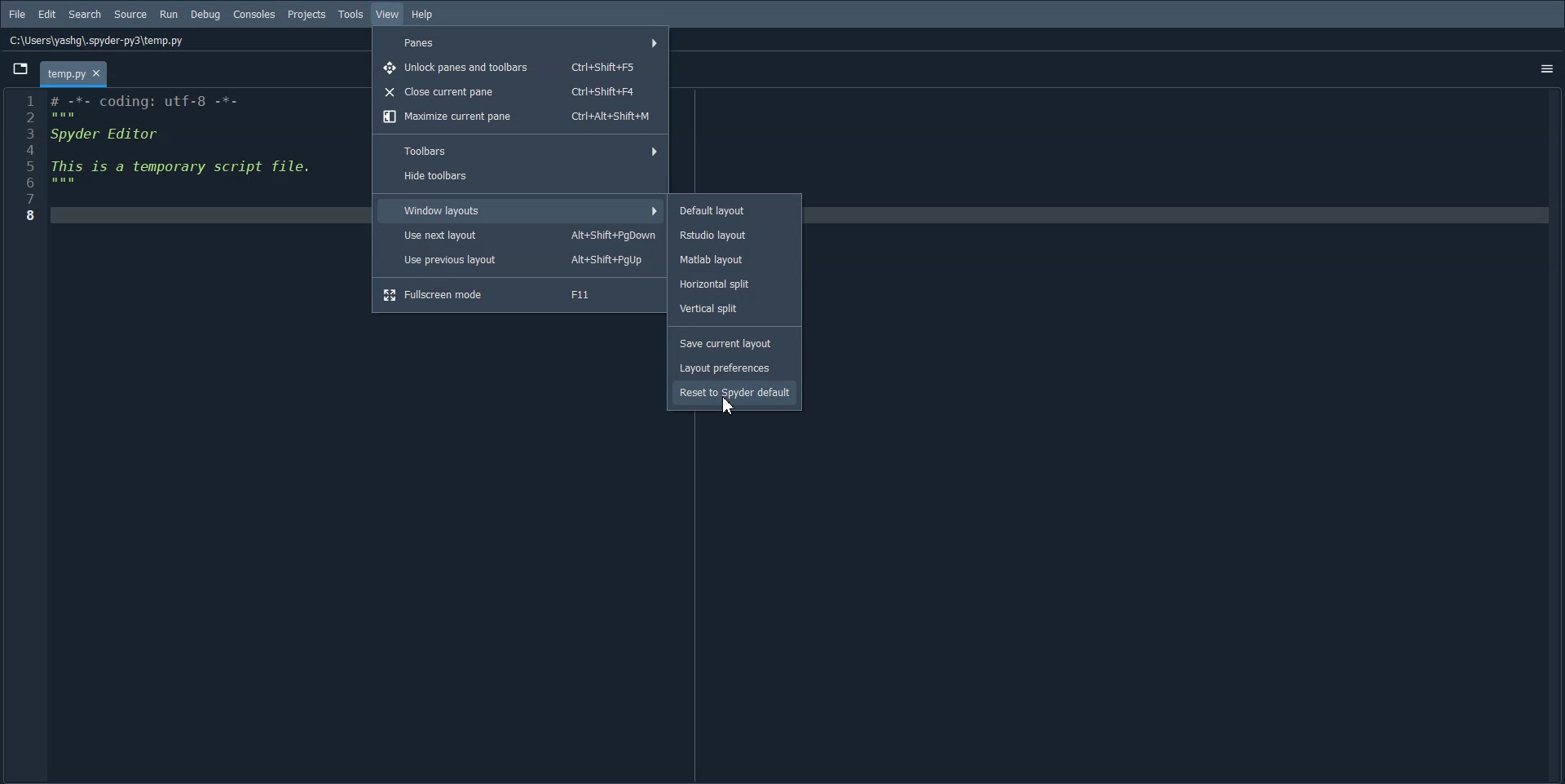  I want to click on Console, so click(254, 15).